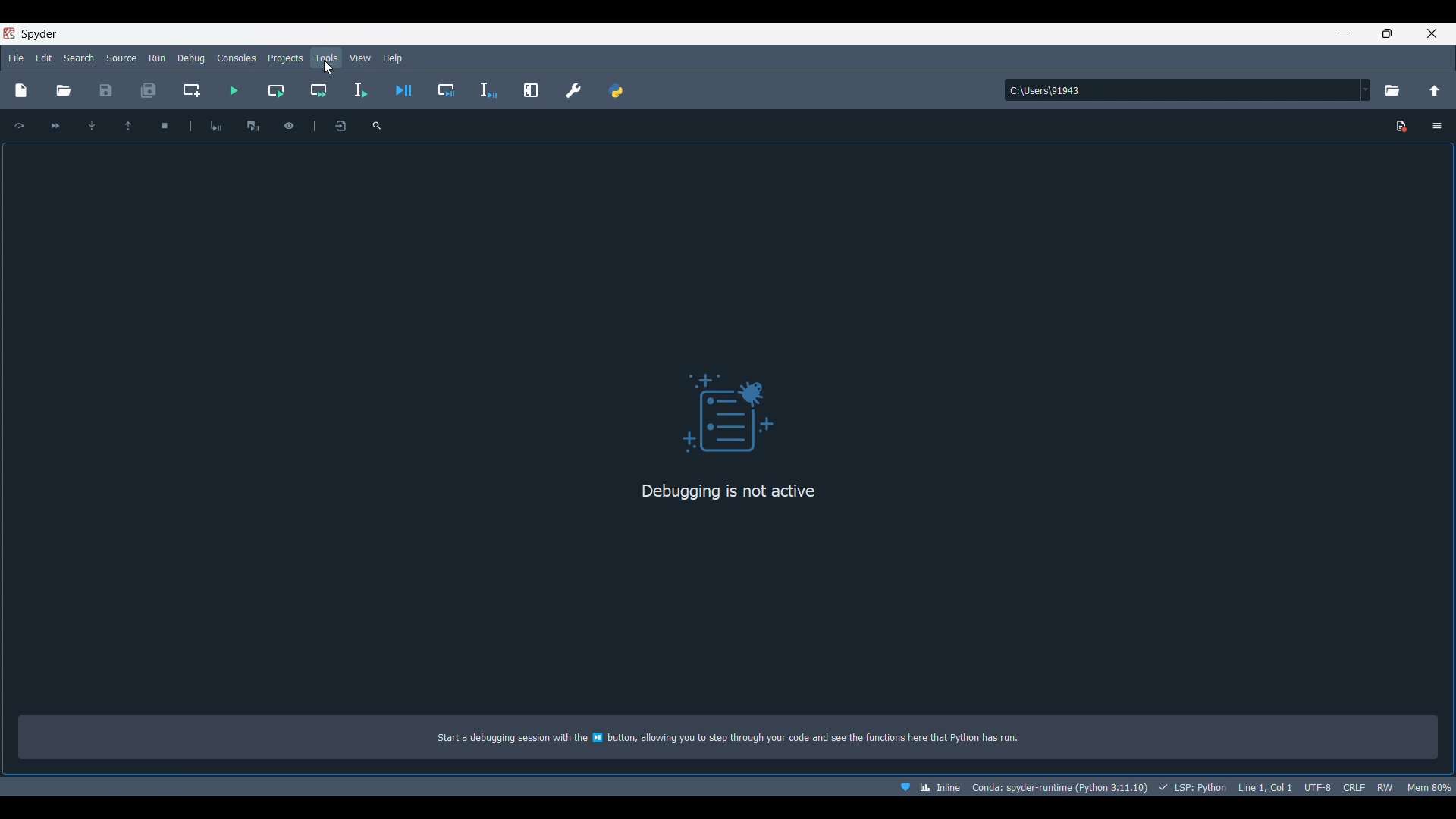 This screenshot has height=819, width=1456. Describe the element at coordinates (155, 58) in the screenshot. I see `Run menu` at that location.